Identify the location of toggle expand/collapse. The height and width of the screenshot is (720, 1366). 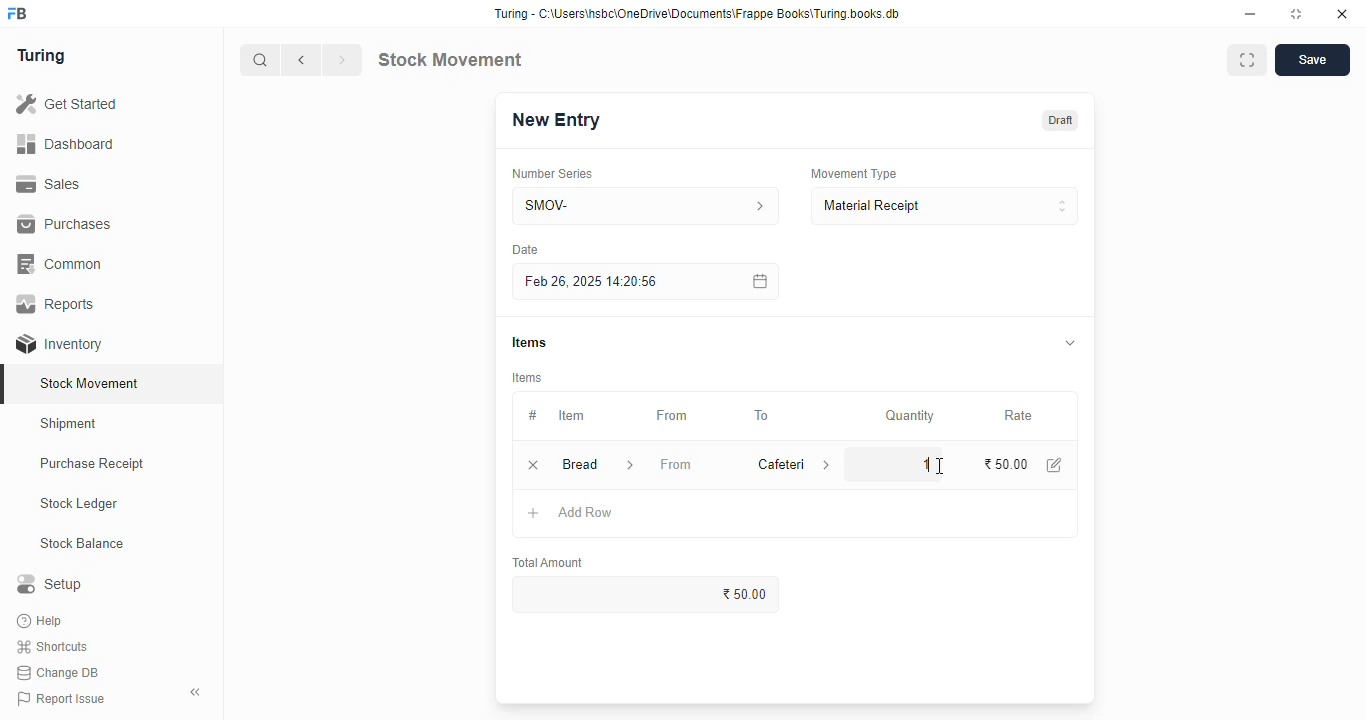
(1071, 342).